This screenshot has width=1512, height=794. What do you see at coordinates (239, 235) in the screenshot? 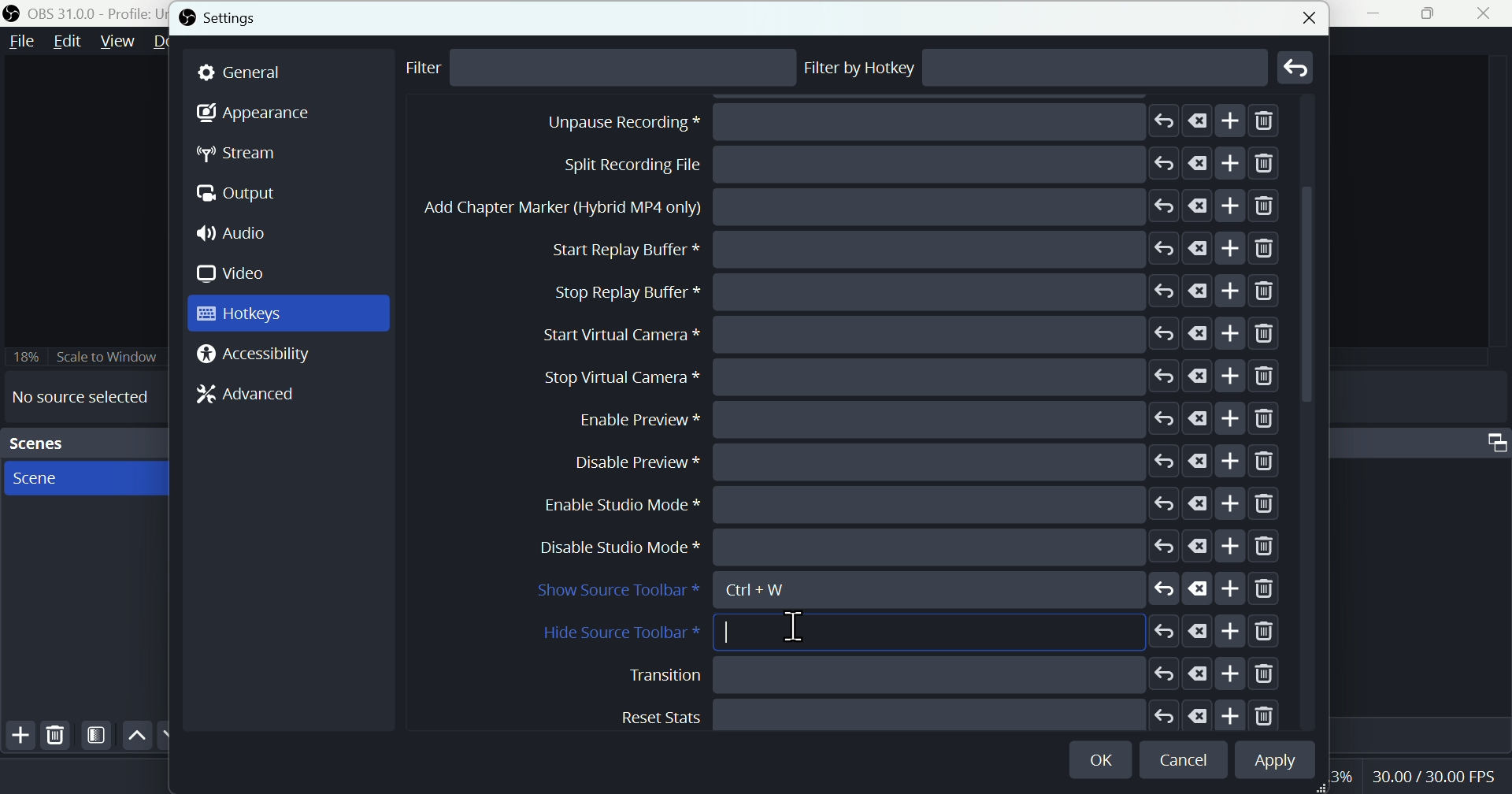
I see `Audio` at bounding box center [239, 235].